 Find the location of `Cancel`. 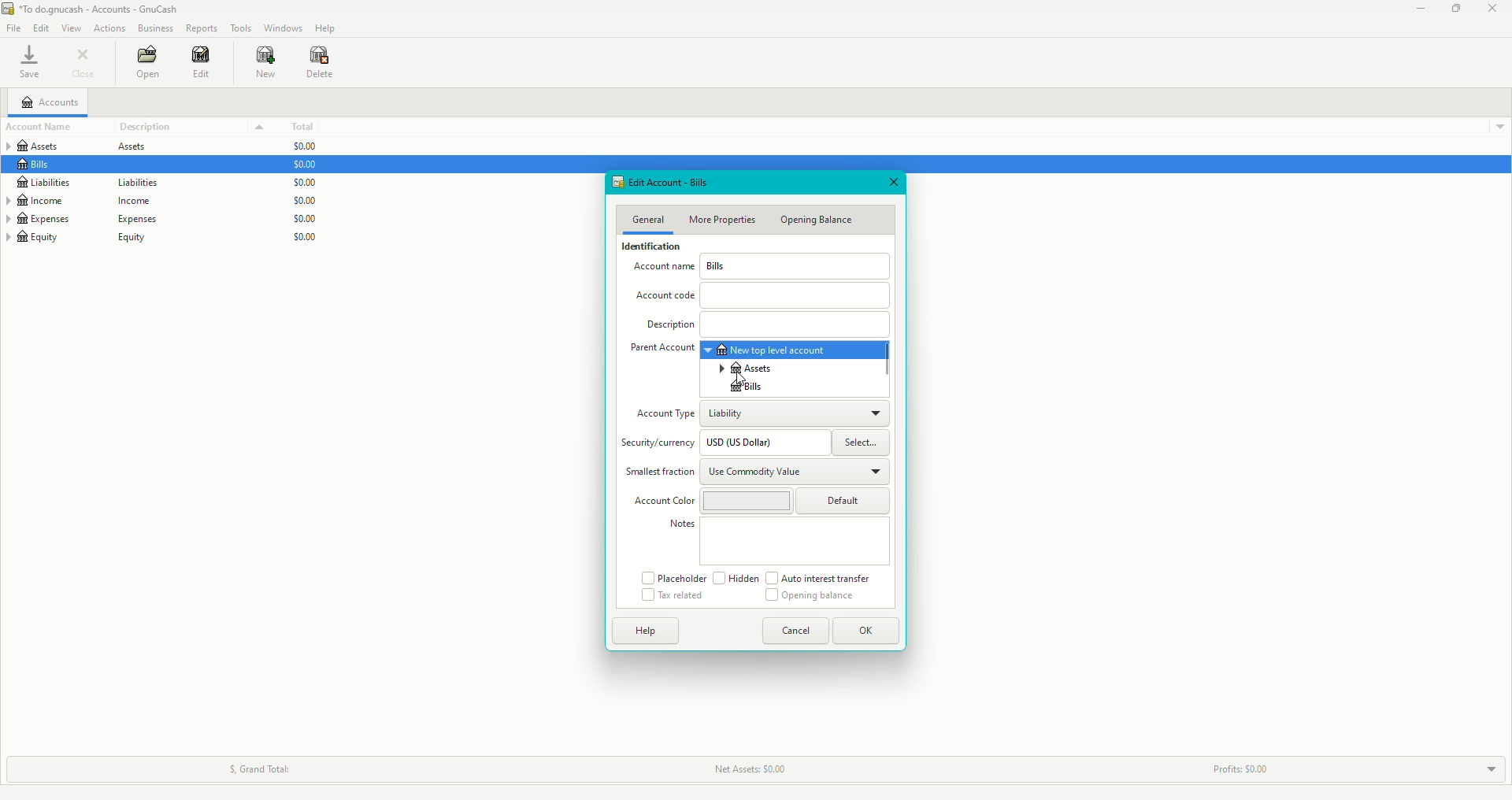

Cancel is located at coordinates (791, 631).